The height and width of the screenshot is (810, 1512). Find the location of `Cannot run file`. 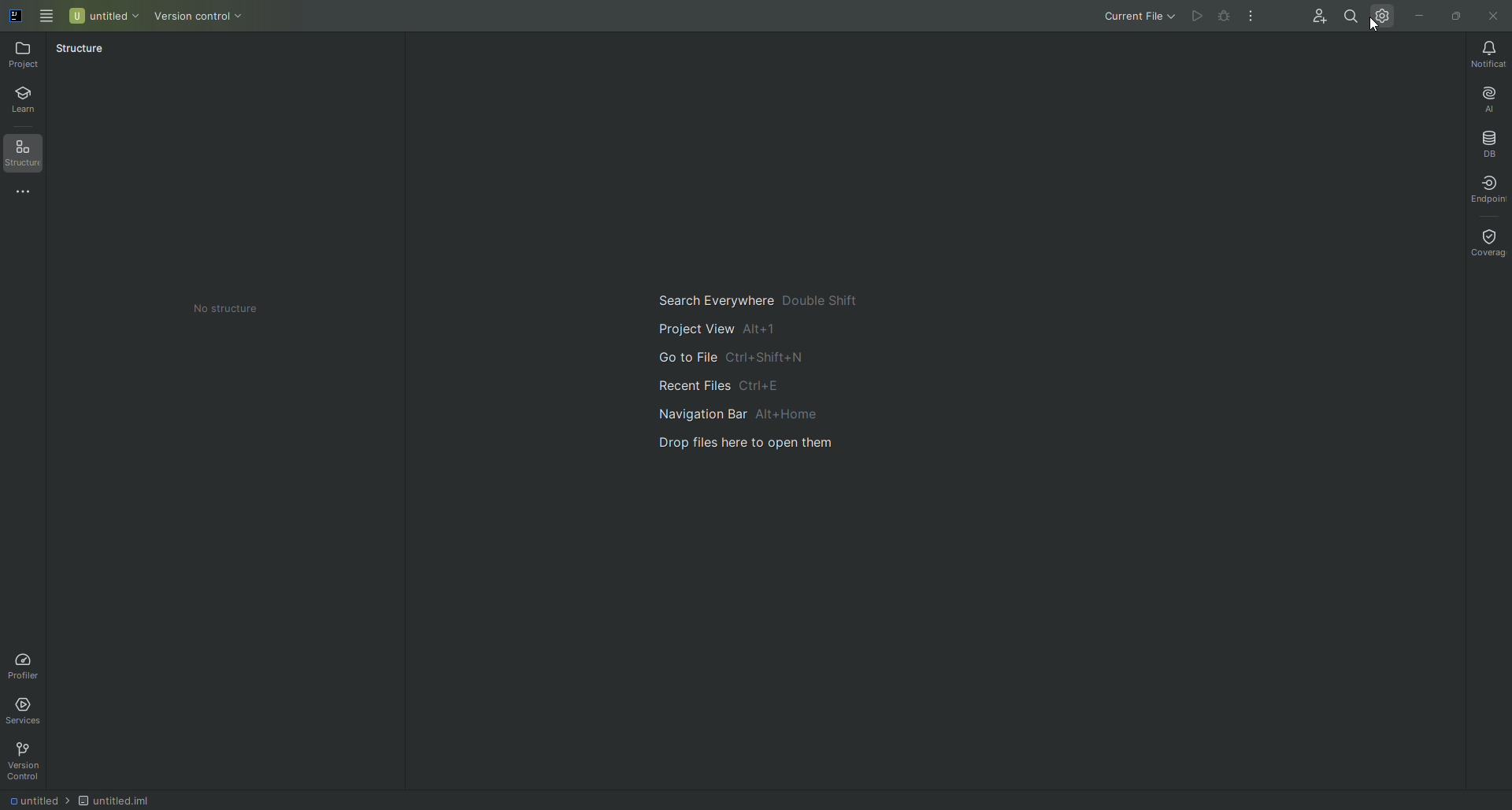

Cannot run file is located at coordinates (1196, 16).